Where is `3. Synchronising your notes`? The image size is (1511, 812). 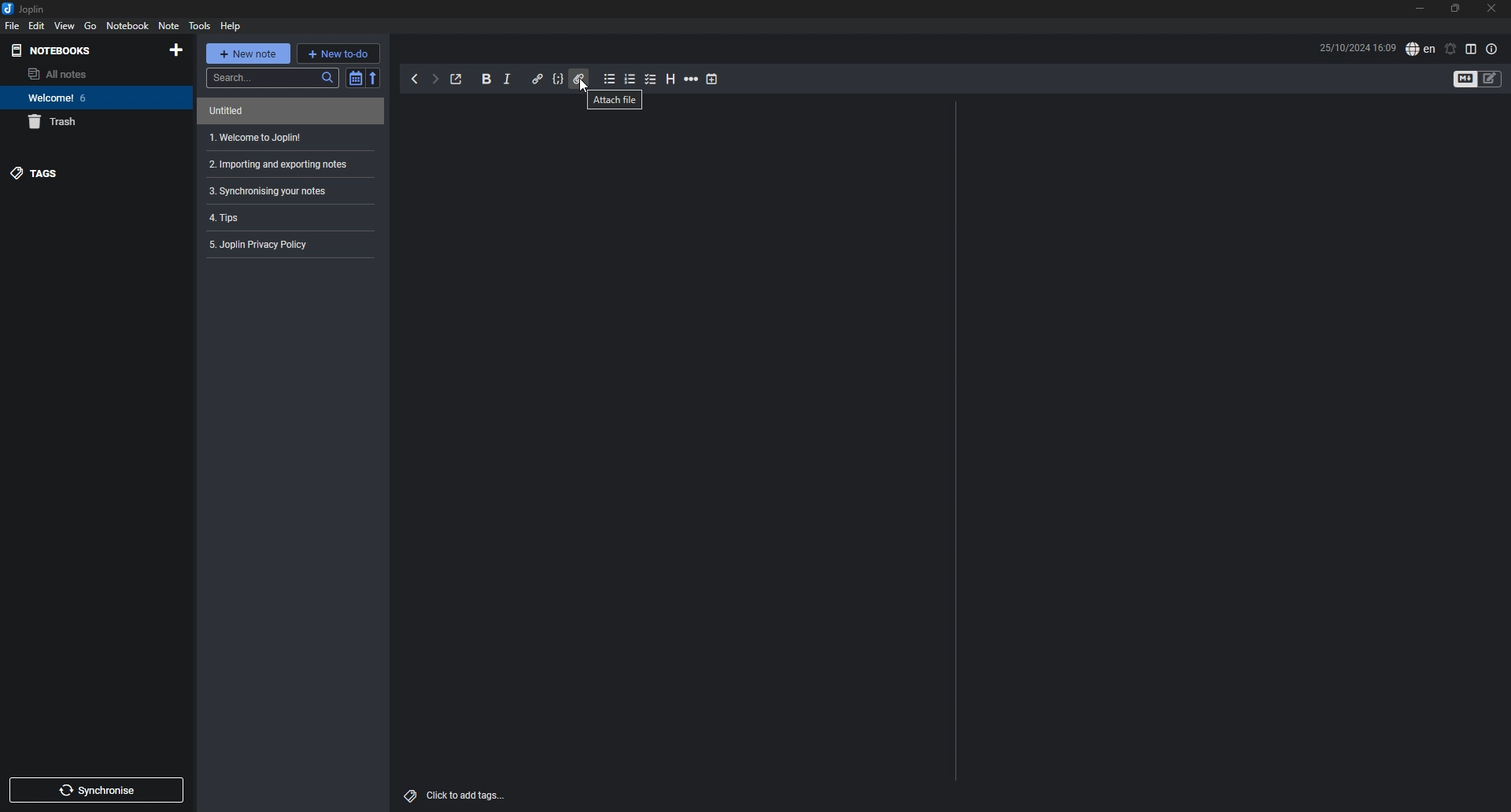
3. Synchronising your notes is located at coordinates (278, 192).